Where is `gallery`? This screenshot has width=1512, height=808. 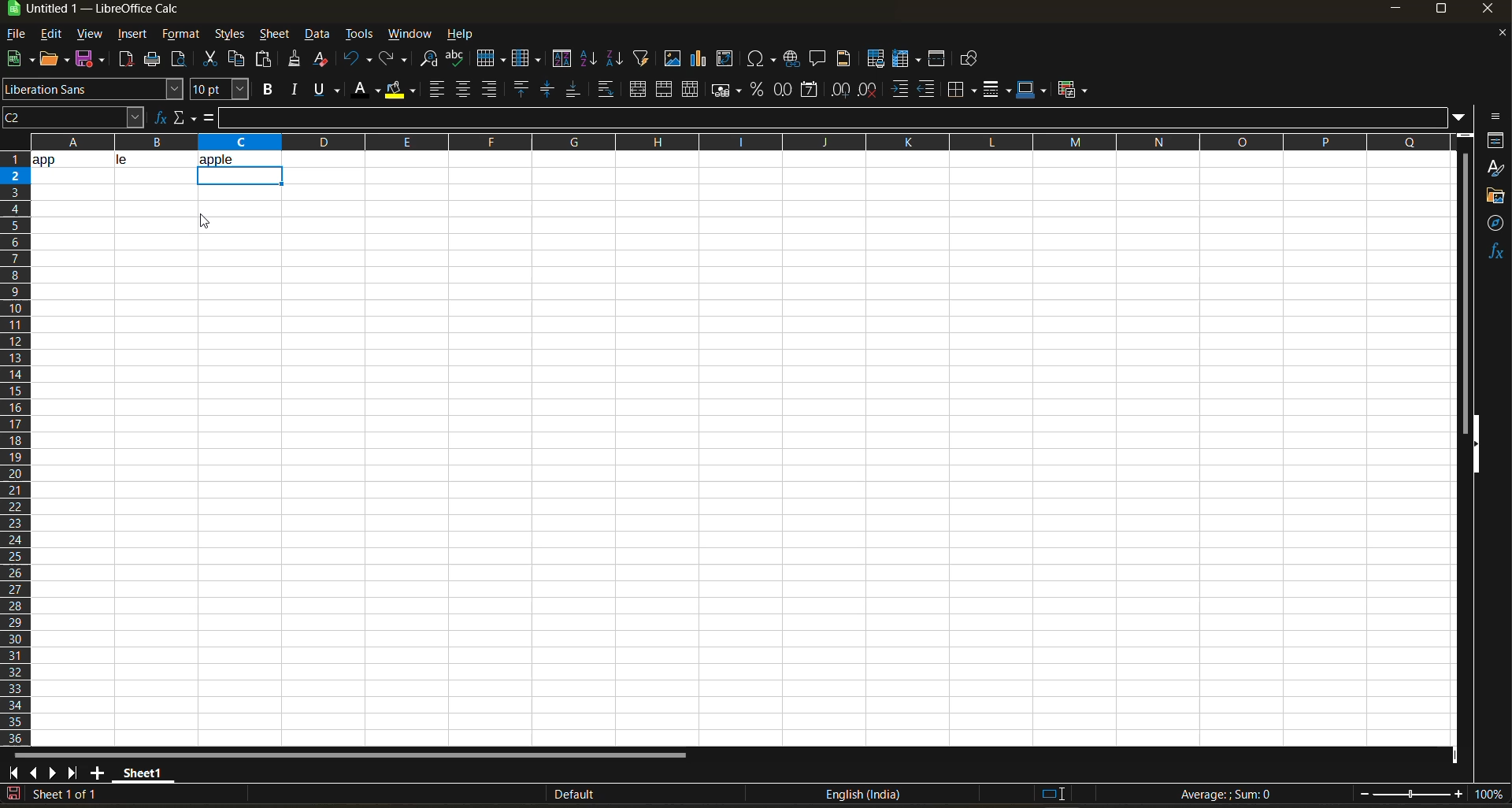 gallery is located at coordinates (1496, 198).